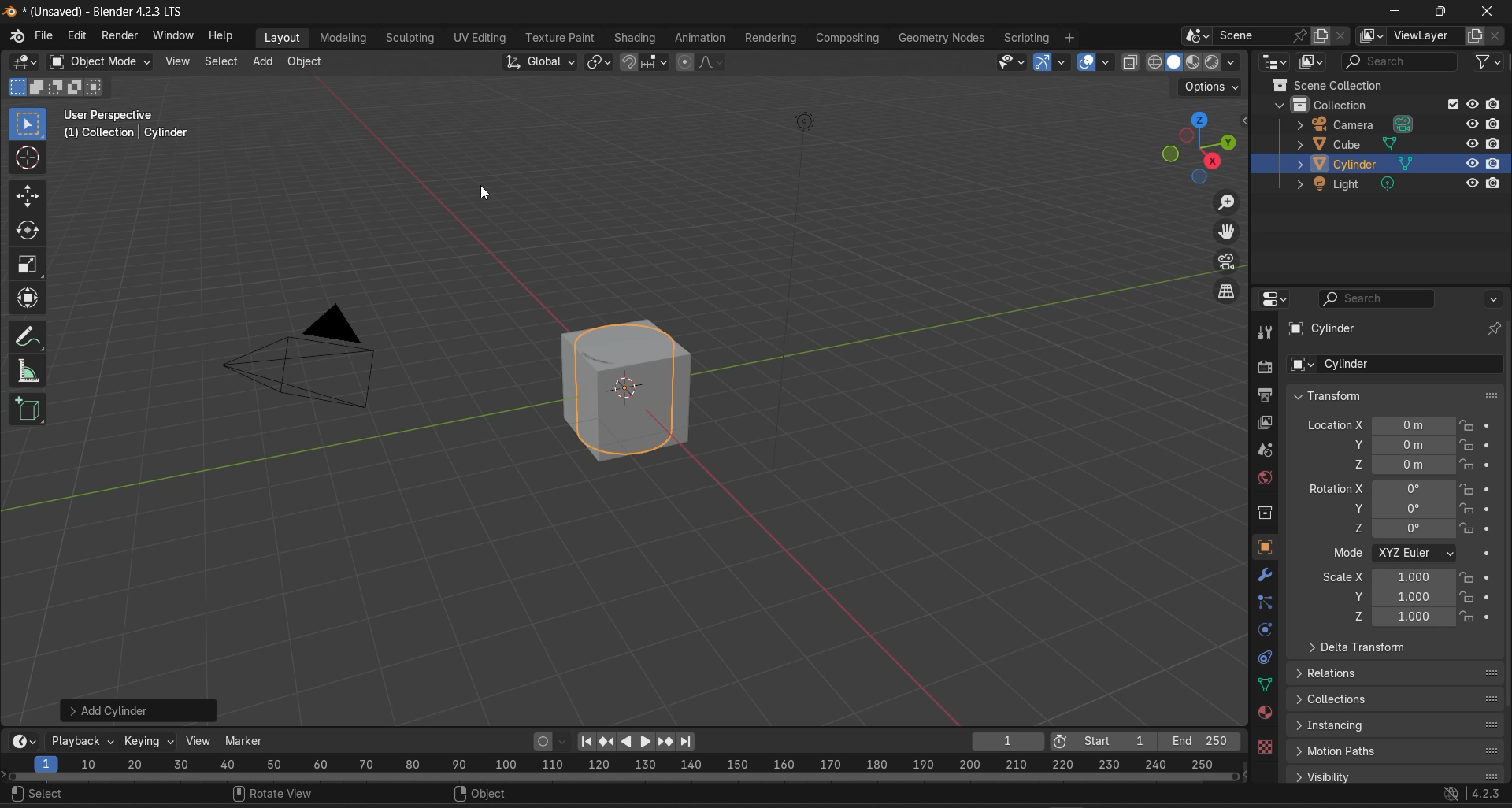 The height and width of the screenshot is (808, 1512). What do you see at coordinates (486, 191) in the screenshot?
I see `Cursor` at bounding box center [486, 191].